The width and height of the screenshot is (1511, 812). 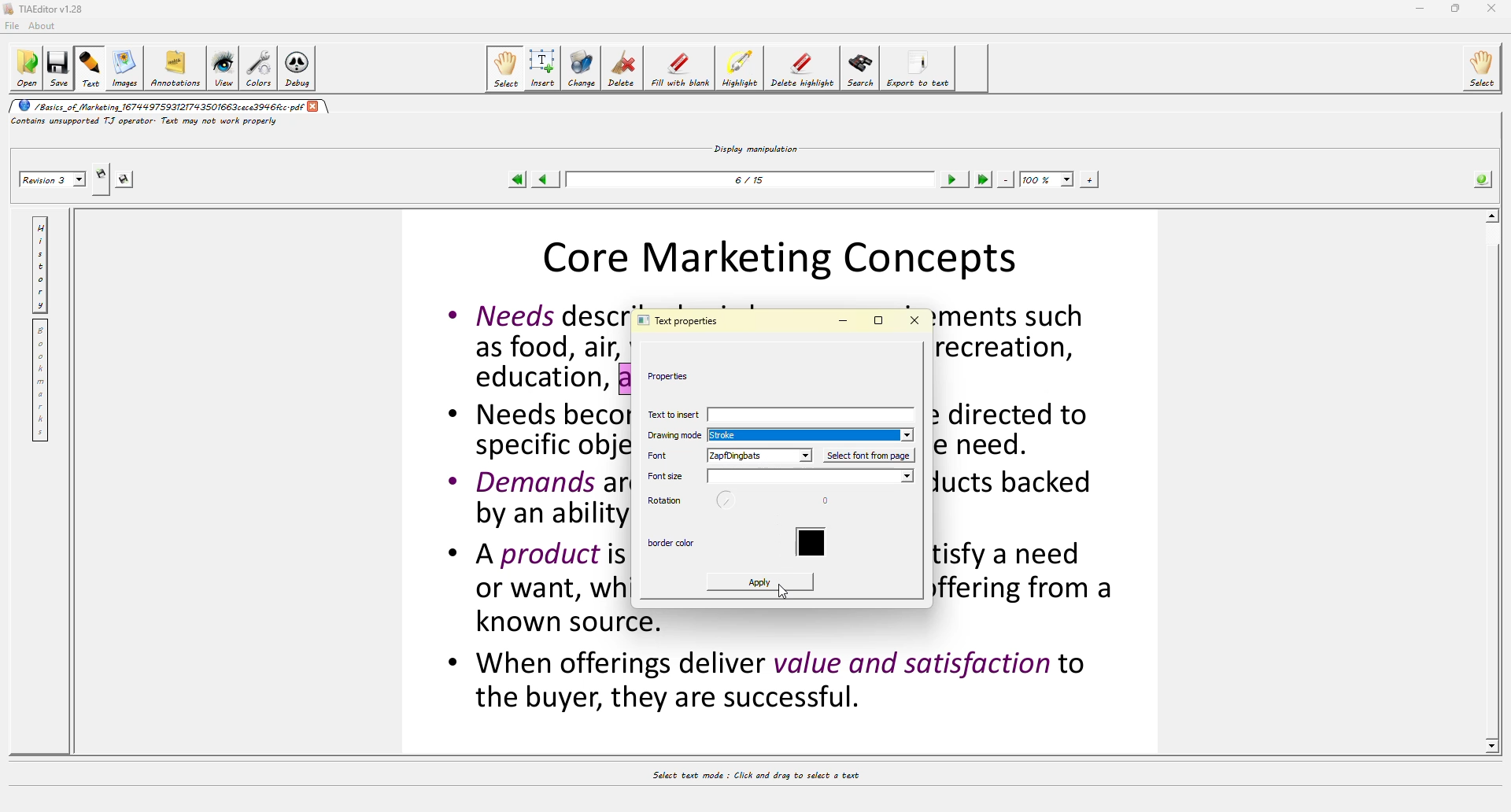 I want to click on contains unsupported TJ operator. Text may not work properly., so click(x=154, y=120).